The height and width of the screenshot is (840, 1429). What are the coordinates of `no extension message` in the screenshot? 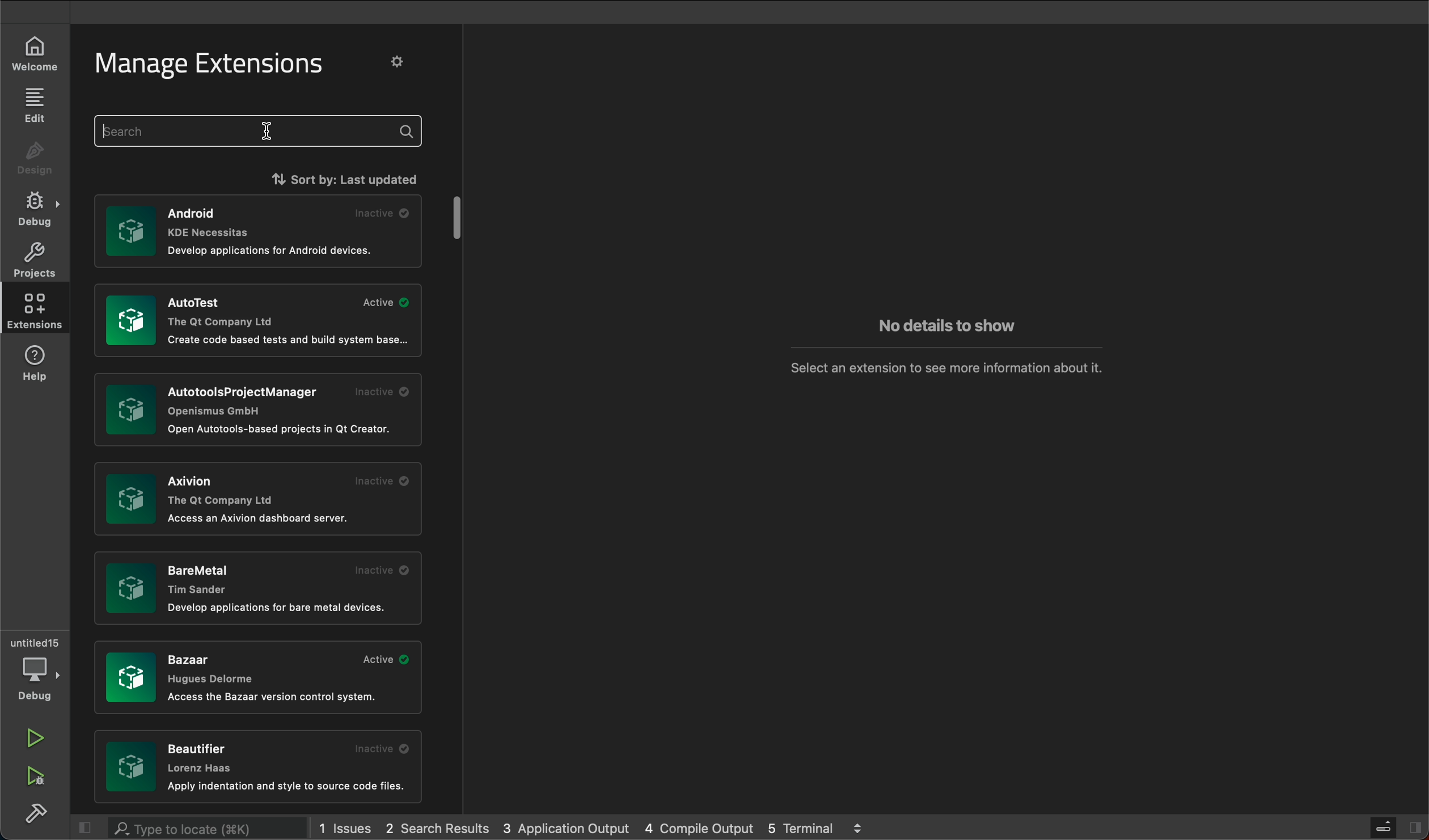 It's located at (946, 327).